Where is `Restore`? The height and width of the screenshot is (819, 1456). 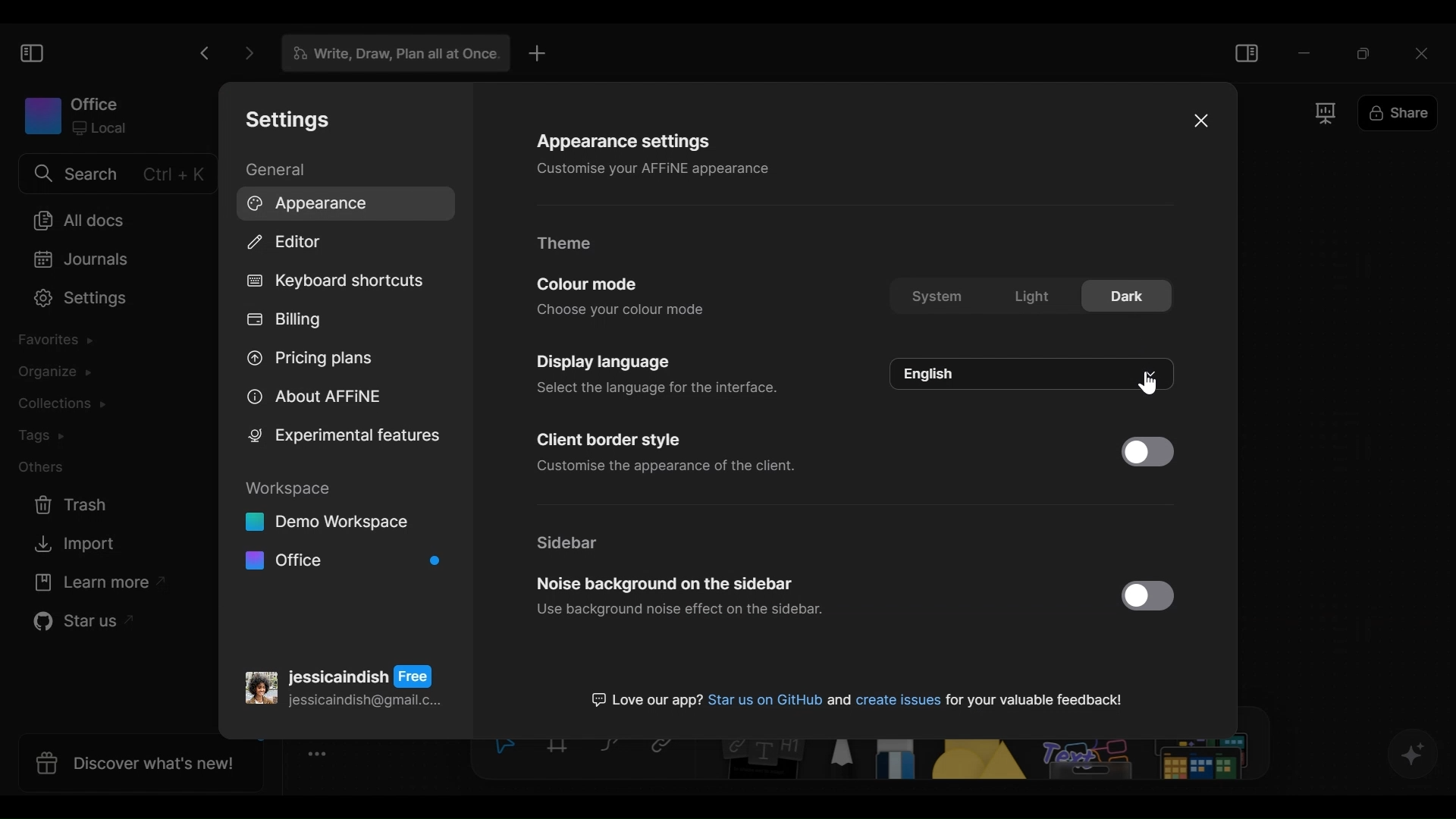
Restore is located at coordinates (1364, 51).